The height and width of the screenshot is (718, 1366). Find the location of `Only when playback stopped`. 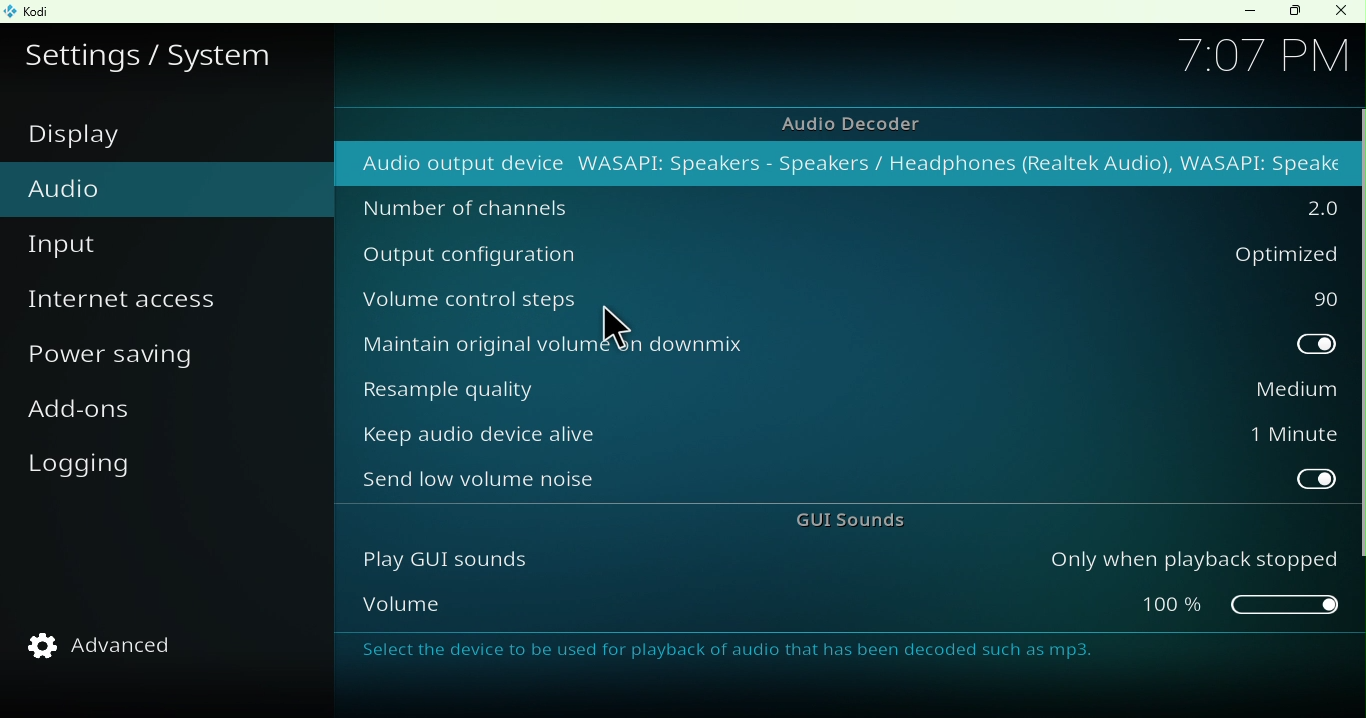

Only when playback stopped is located at coordinates (1192, 563).